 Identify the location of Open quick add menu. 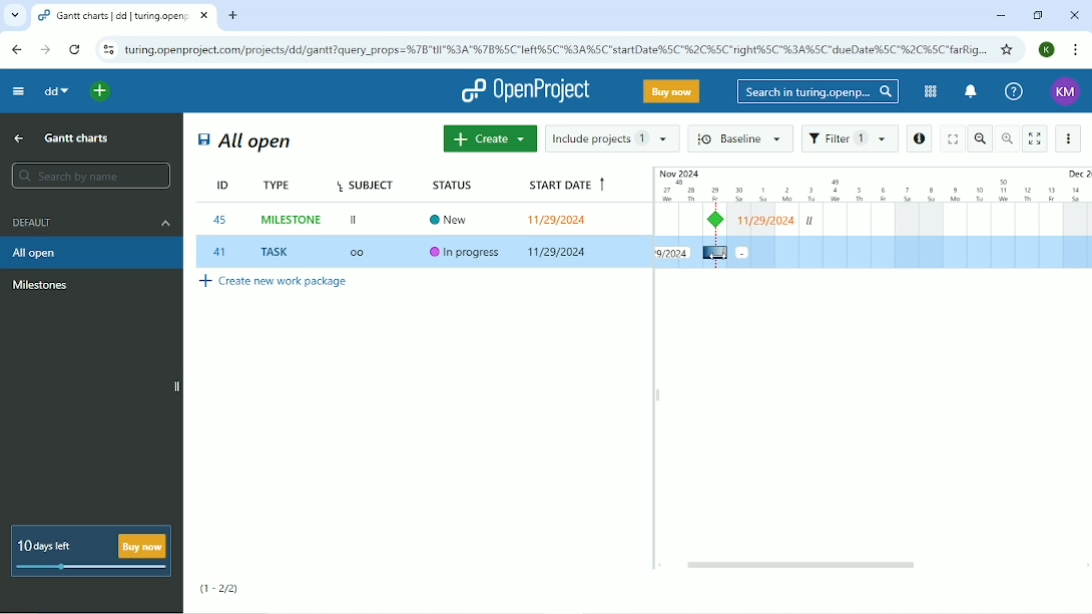
(103, 92).